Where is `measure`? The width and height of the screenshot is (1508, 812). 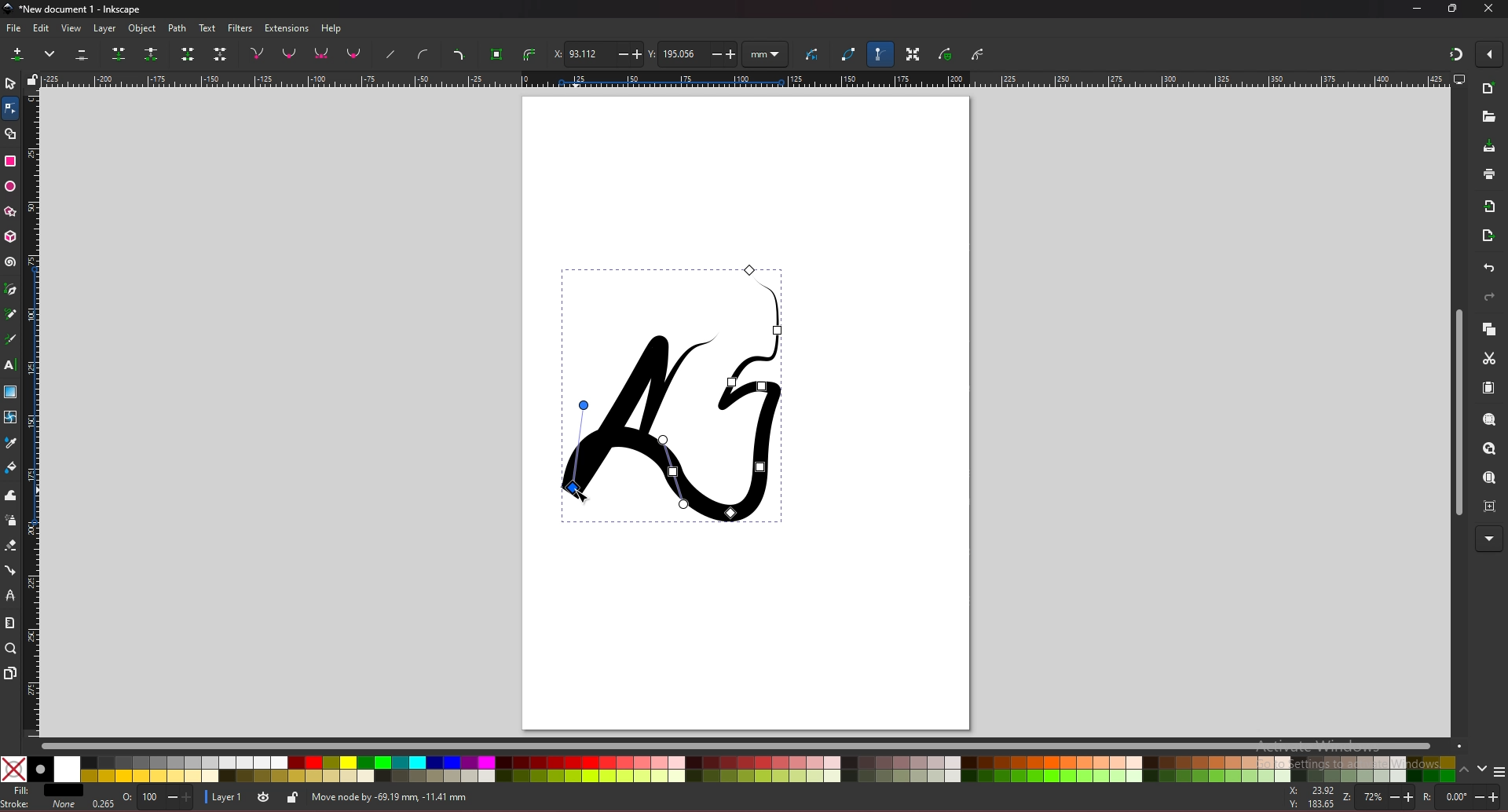
measure is located at coordinates (10, 621).